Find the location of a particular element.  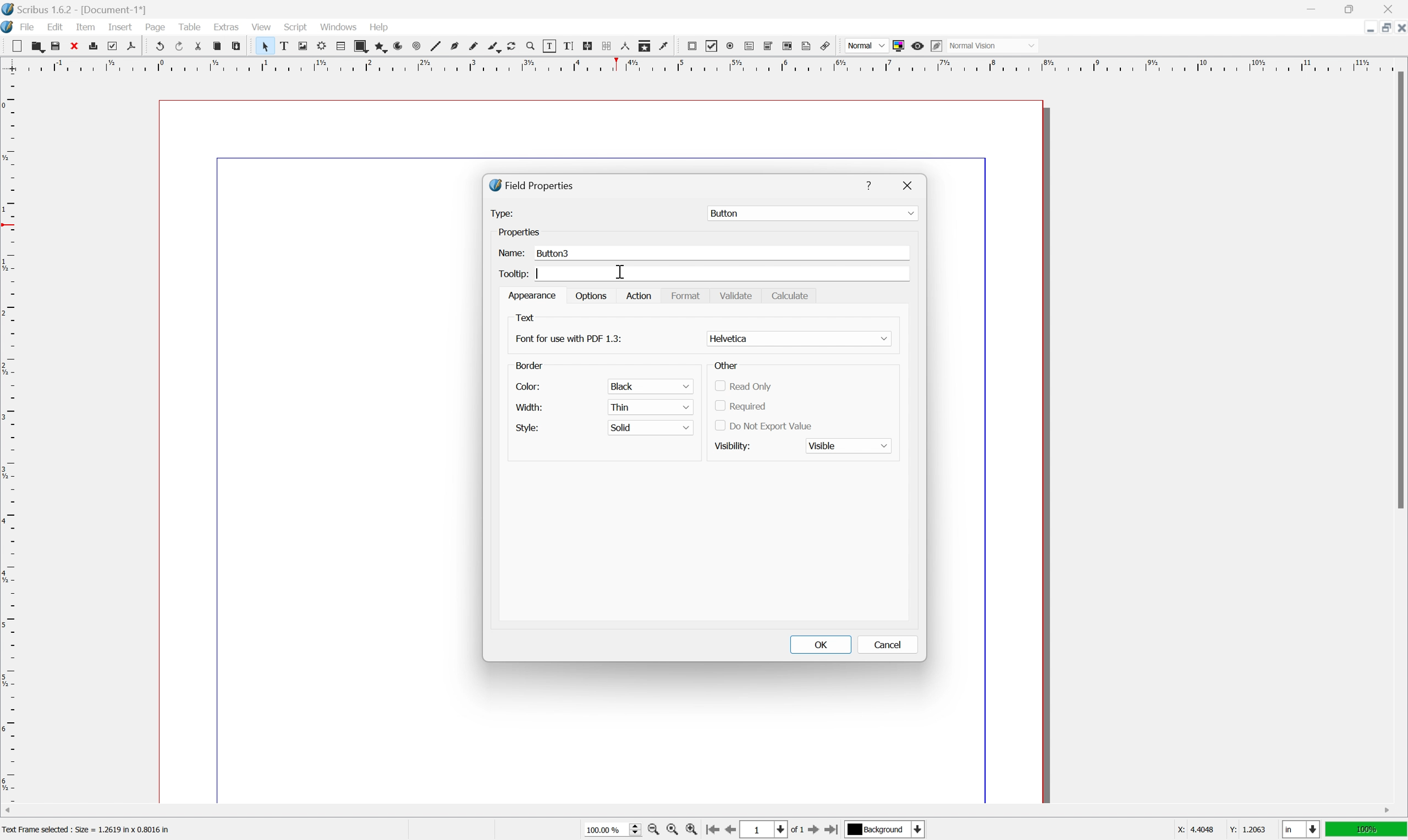

pdf list box is located at coordinates (787, 46).